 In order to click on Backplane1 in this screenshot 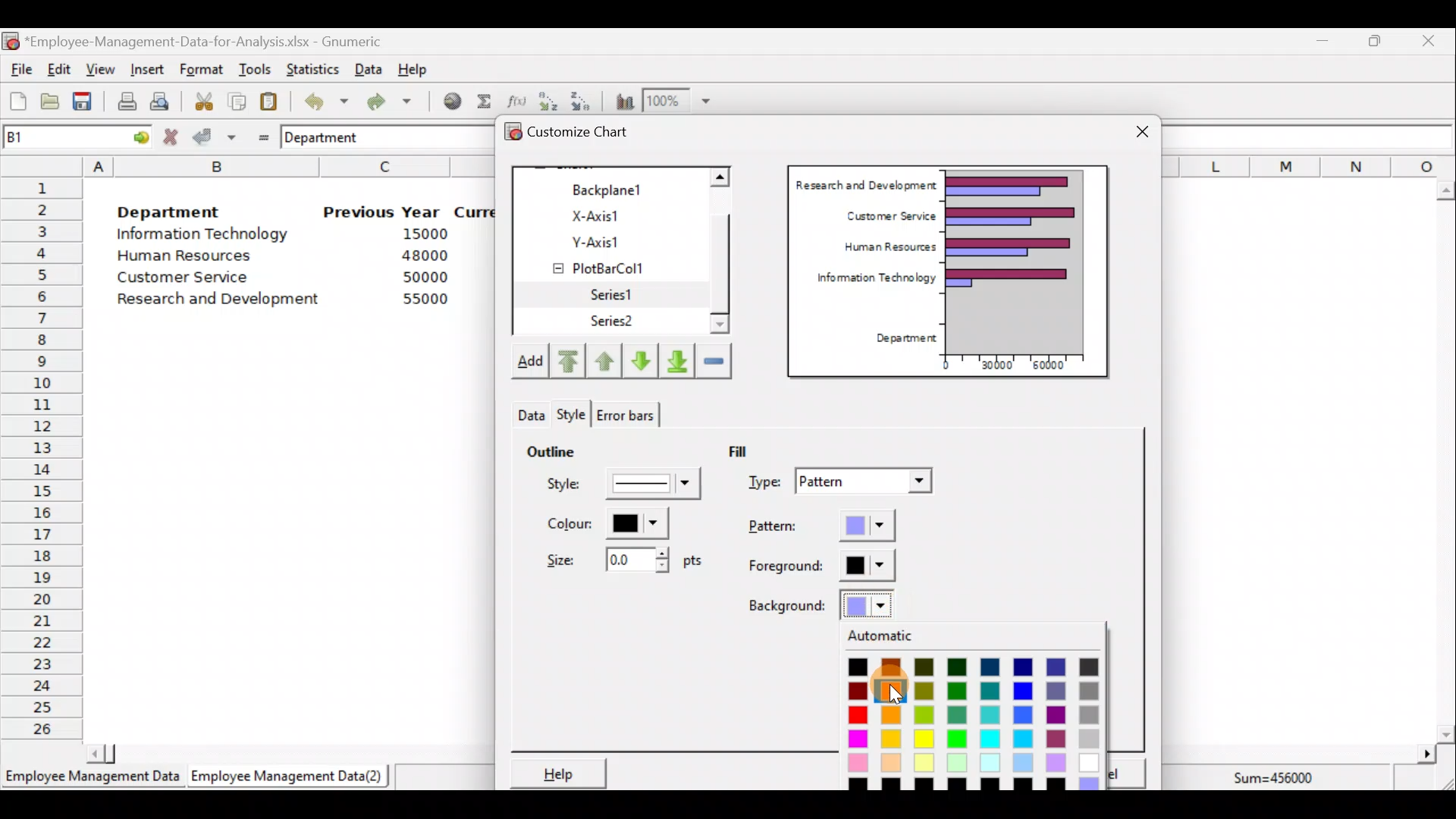, I will do `click(613, 188)`.